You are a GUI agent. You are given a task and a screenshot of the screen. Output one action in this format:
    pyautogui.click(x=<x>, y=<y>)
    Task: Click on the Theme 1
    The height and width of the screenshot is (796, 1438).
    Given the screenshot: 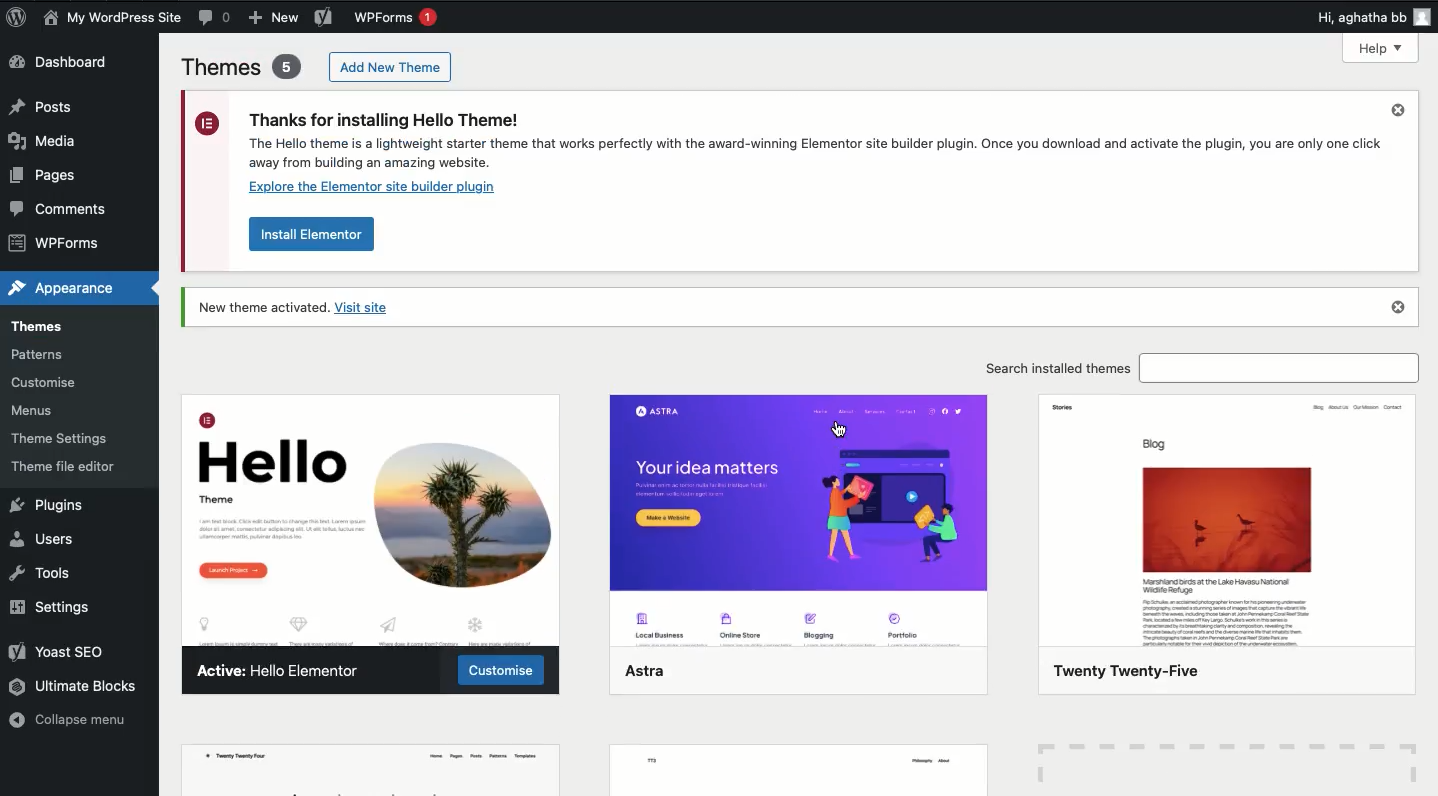 What is the action you would take?
    pyautogui.click(x=373, y=527)
    